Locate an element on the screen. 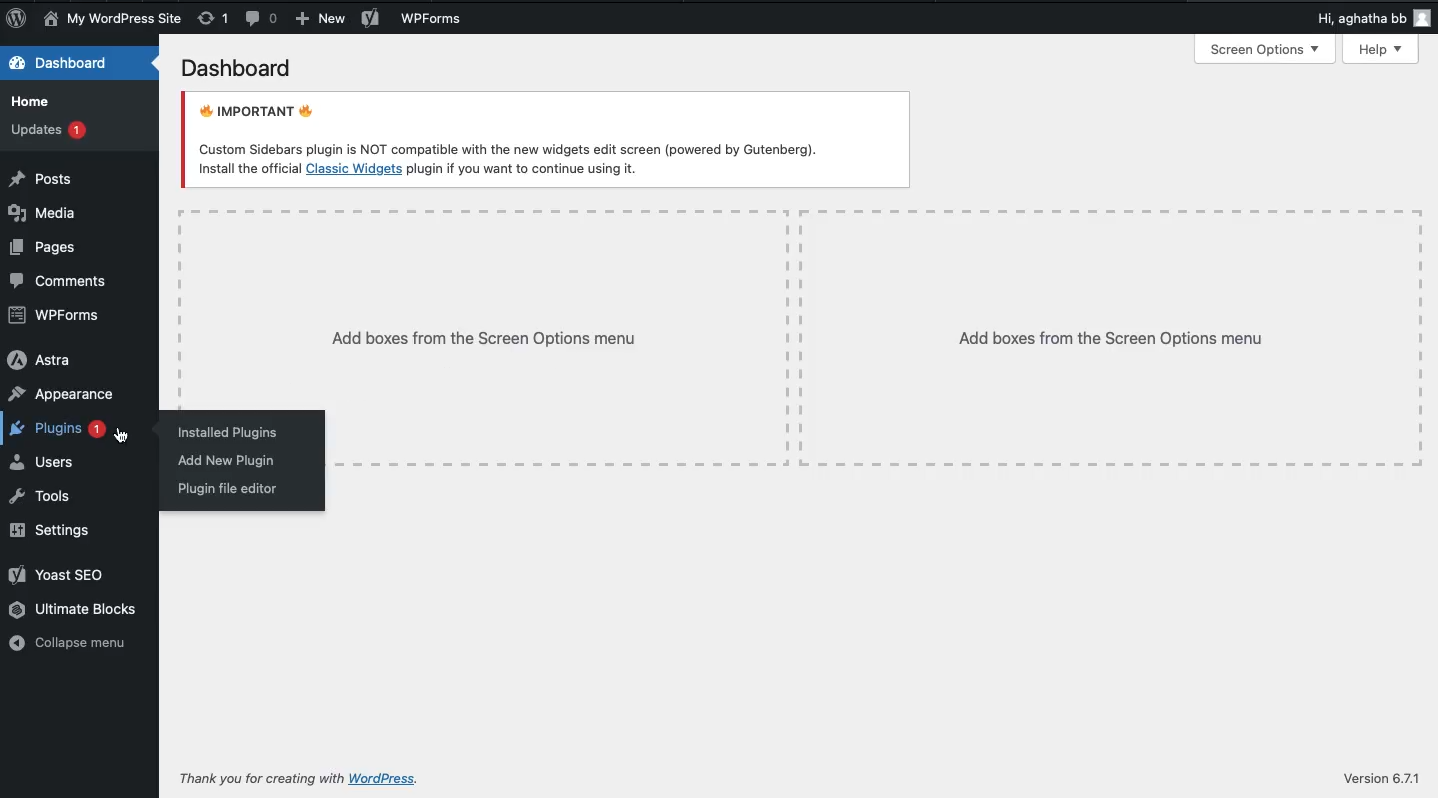  plugin if you want to continue using it. is located at coordinates (524, 169).